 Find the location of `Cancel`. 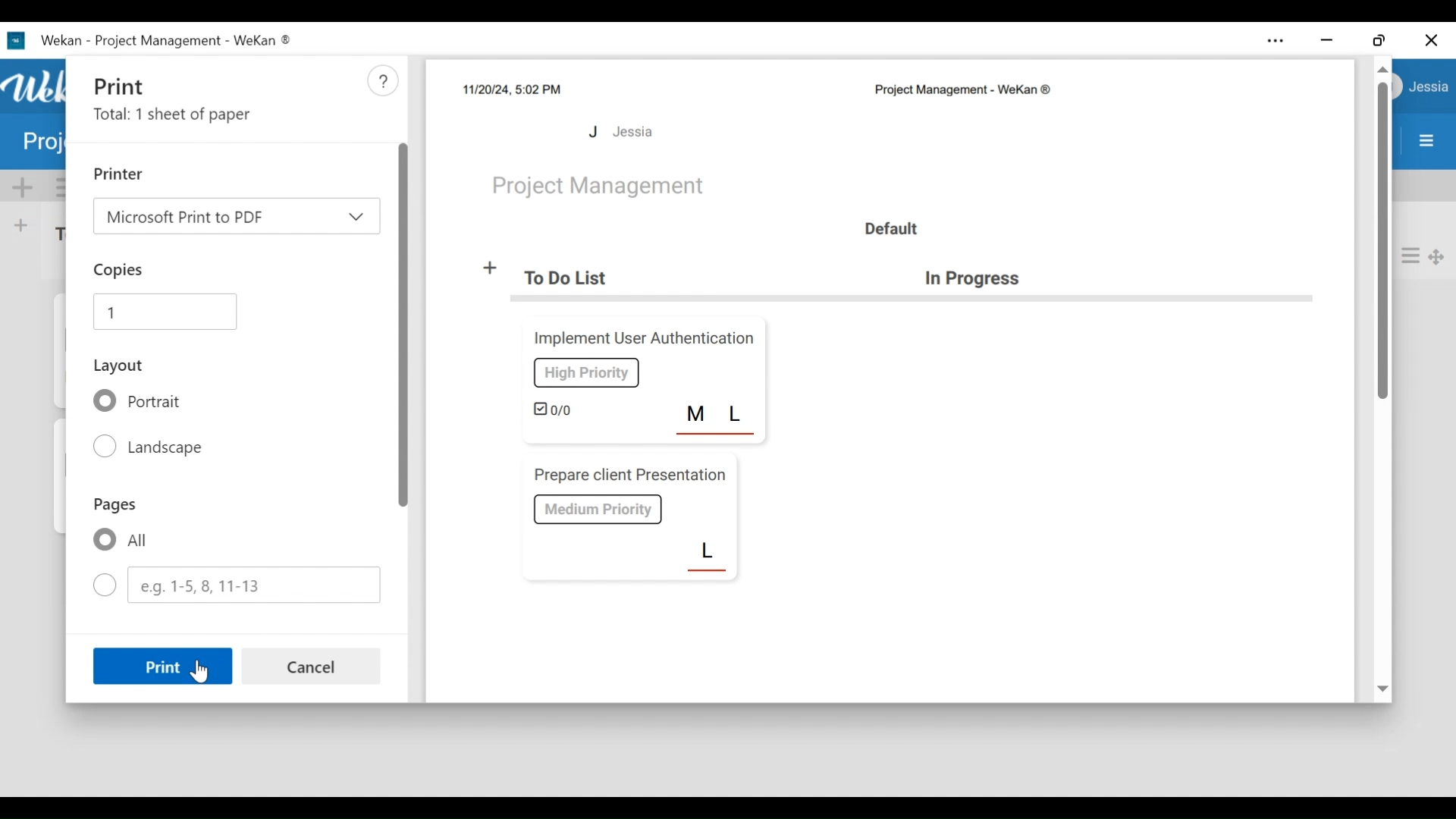

Cancel is located at coordinates (312, 667).